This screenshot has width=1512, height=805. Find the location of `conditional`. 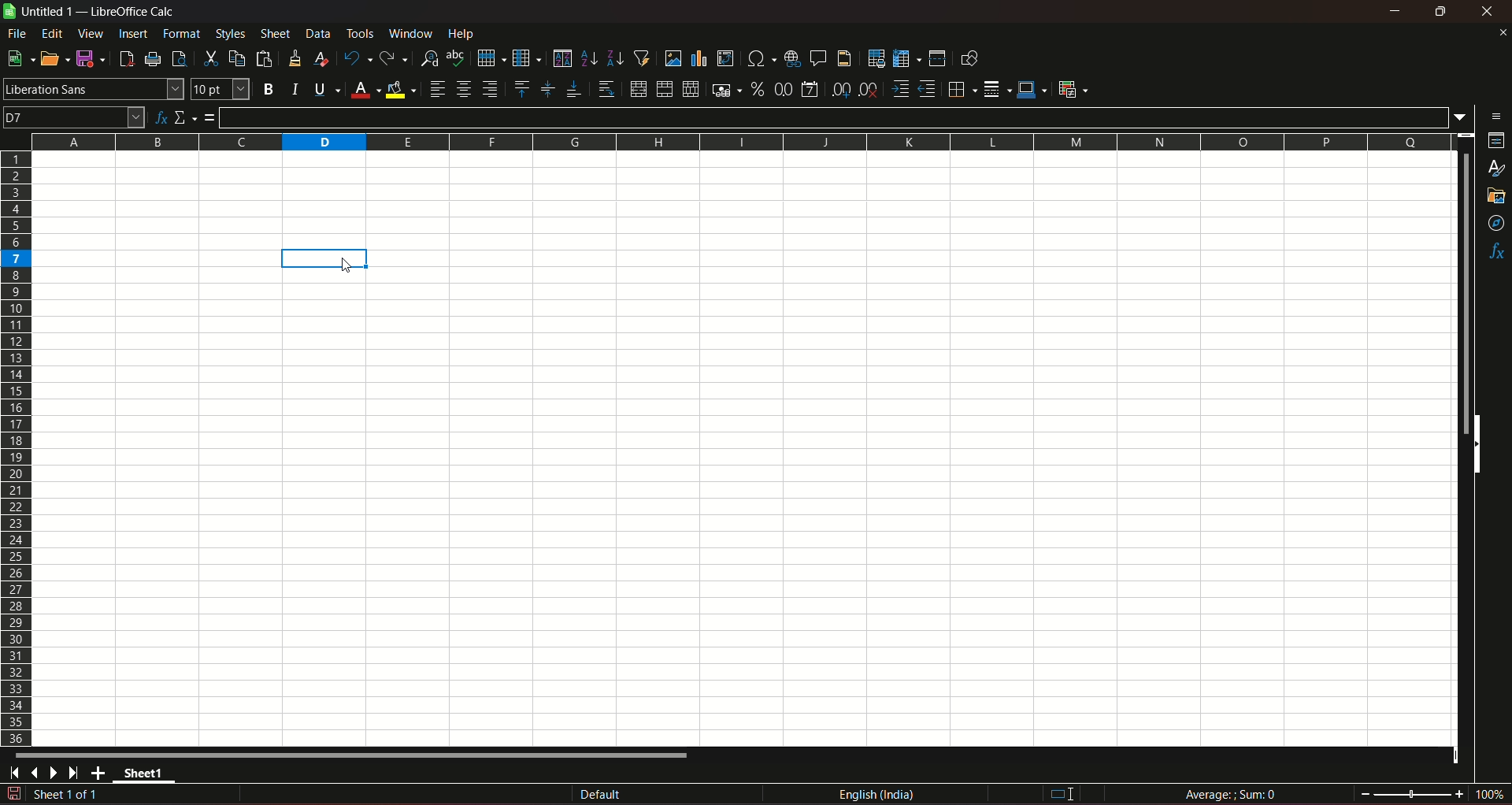

conditional is located at coordinates (1072, 88).